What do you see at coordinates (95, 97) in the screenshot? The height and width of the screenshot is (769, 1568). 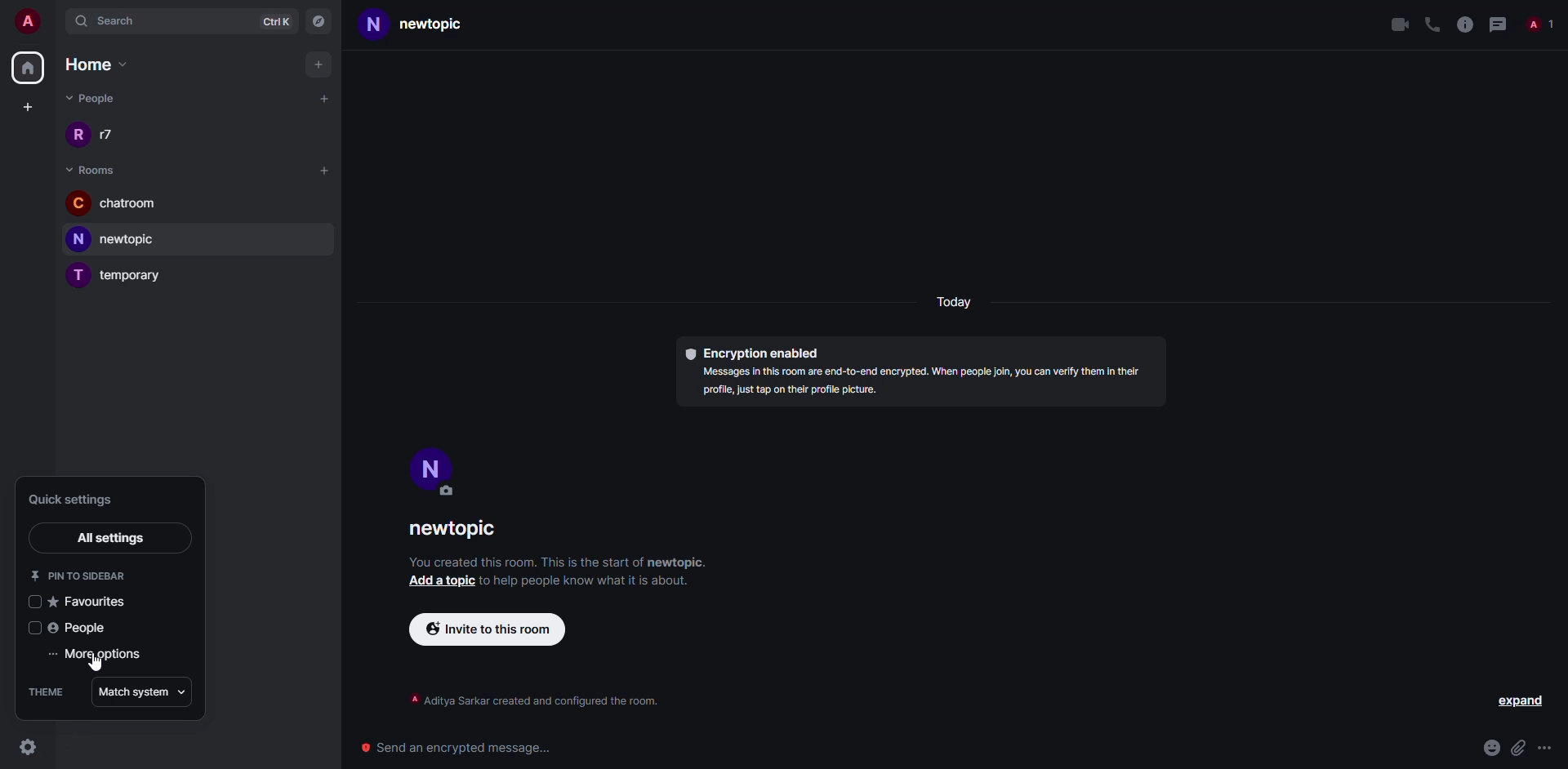 I see `people` at bounding box center [95, 97].